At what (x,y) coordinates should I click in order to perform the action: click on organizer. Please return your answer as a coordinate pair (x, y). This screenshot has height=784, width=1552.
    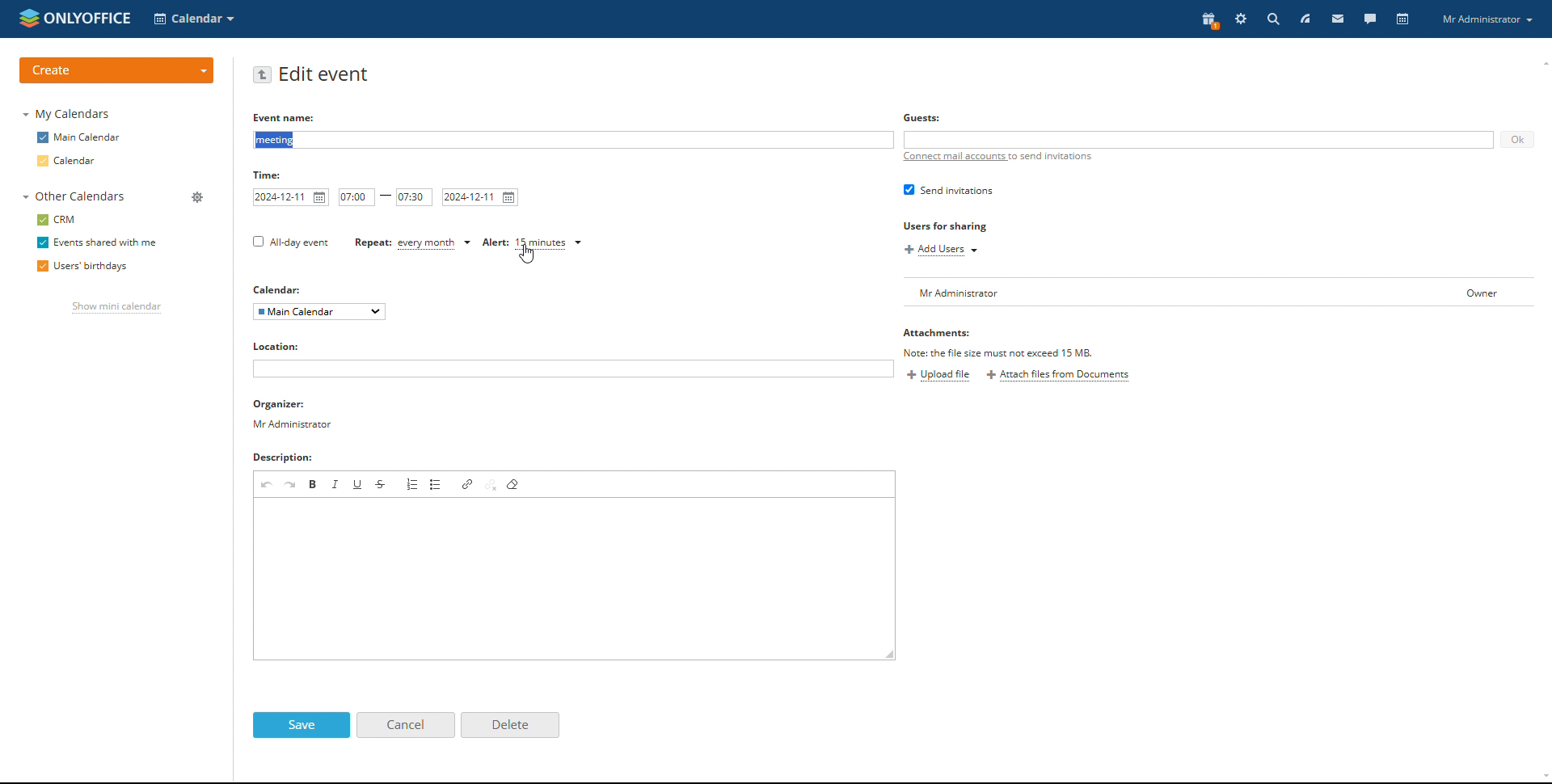
    Looking at the image, I should click on (292, 415).